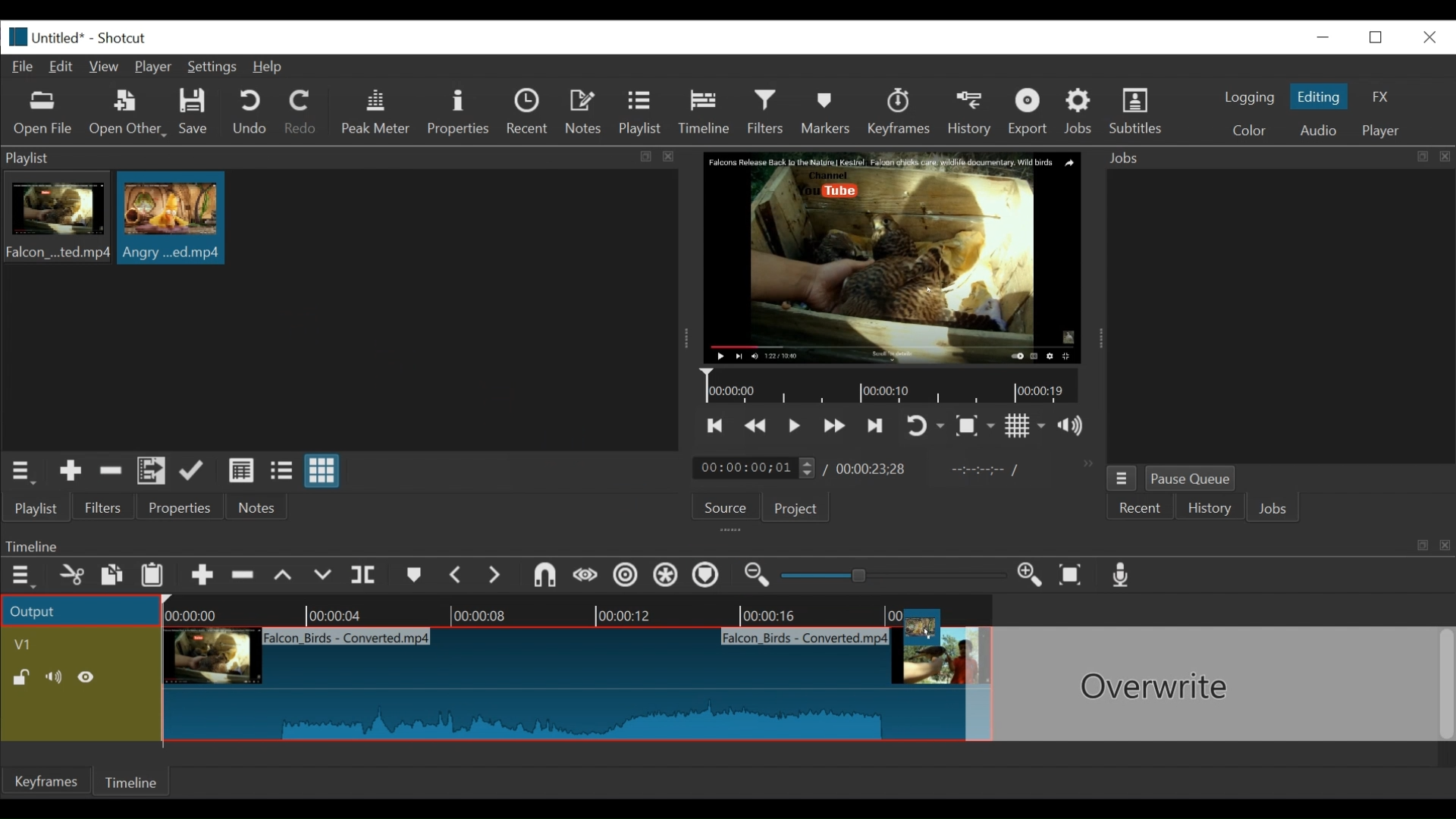 This screenshot has height=819, width=1456. I want to click on clip, so click(55, 220).